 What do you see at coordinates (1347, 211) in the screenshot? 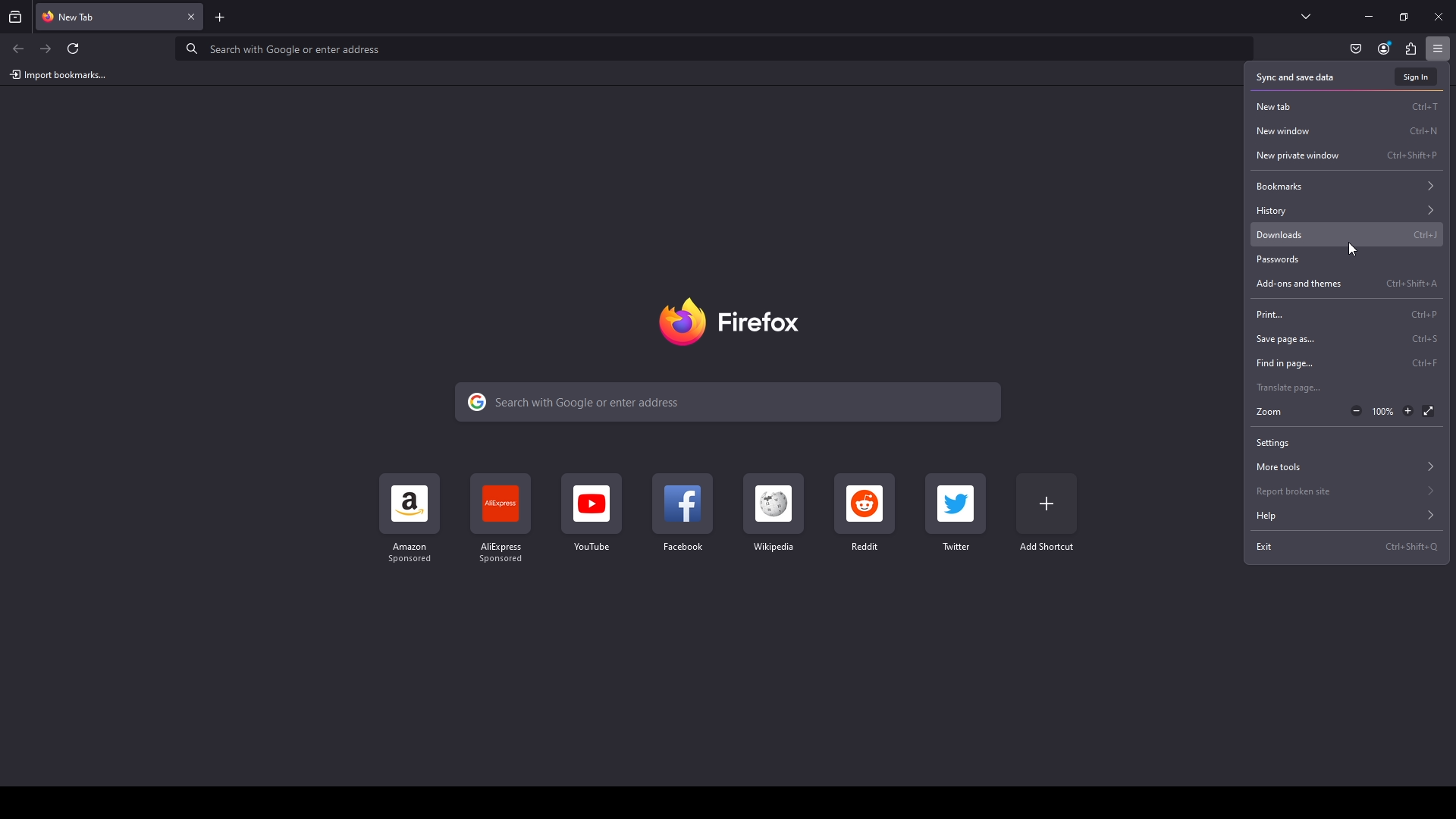
I see `History` at bounding box center [1347, 211].